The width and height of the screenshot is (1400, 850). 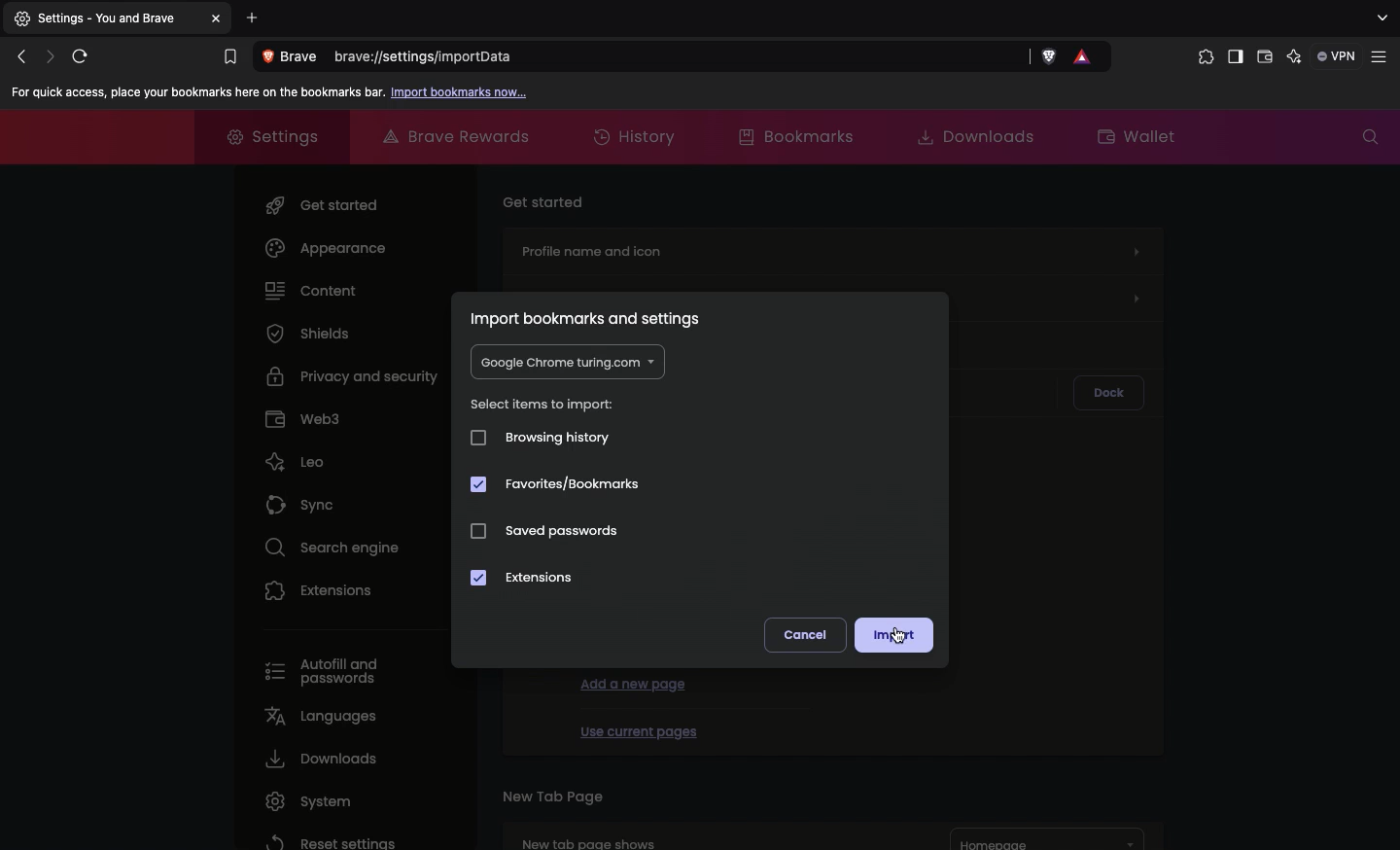 I want to click on For quick access, place your bookmarks here on the bookmarks bar., so click(x=194, y=92).